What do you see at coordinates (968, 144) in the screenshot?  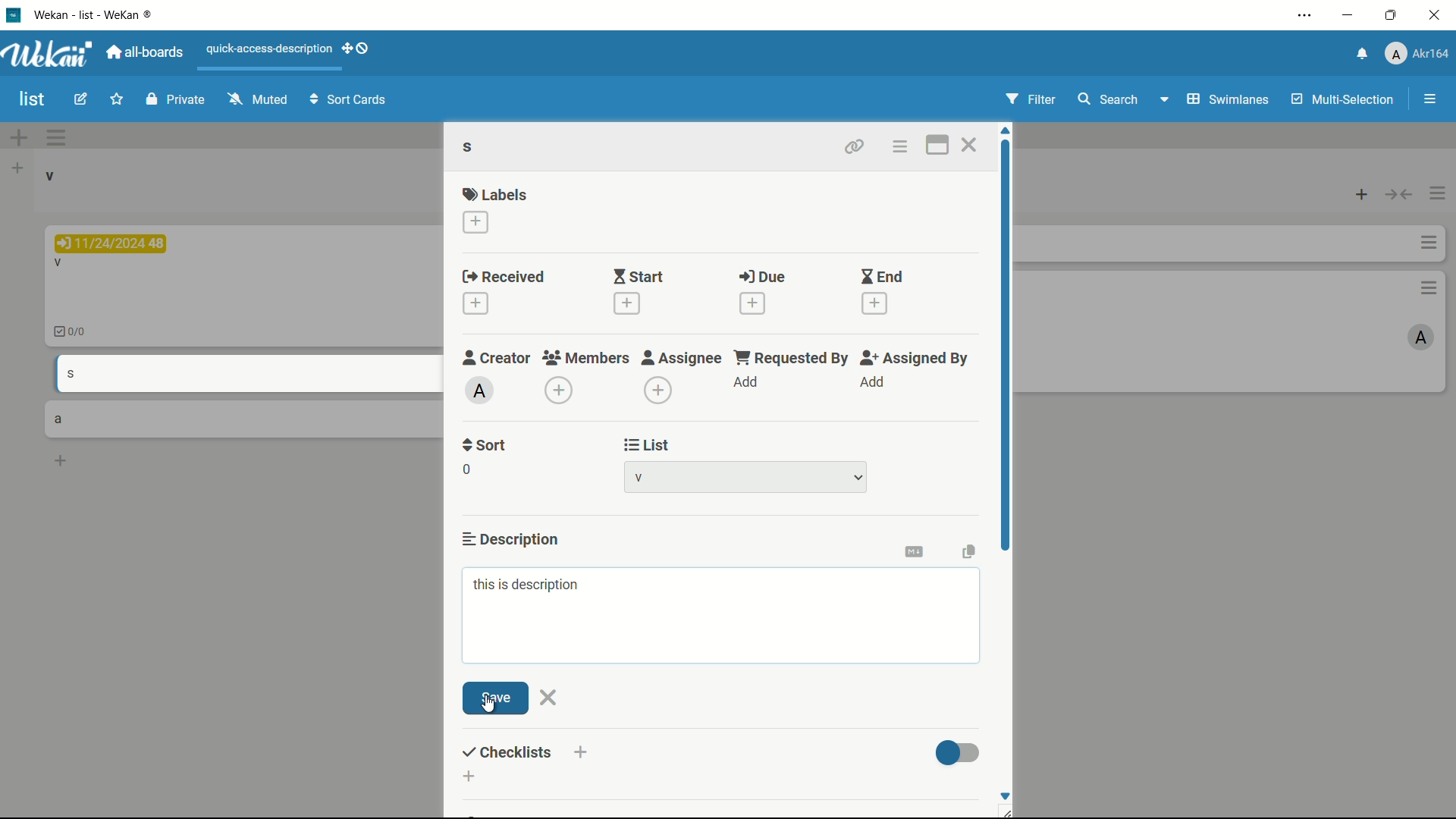 I see `close card` at bounding box center [968, 144].